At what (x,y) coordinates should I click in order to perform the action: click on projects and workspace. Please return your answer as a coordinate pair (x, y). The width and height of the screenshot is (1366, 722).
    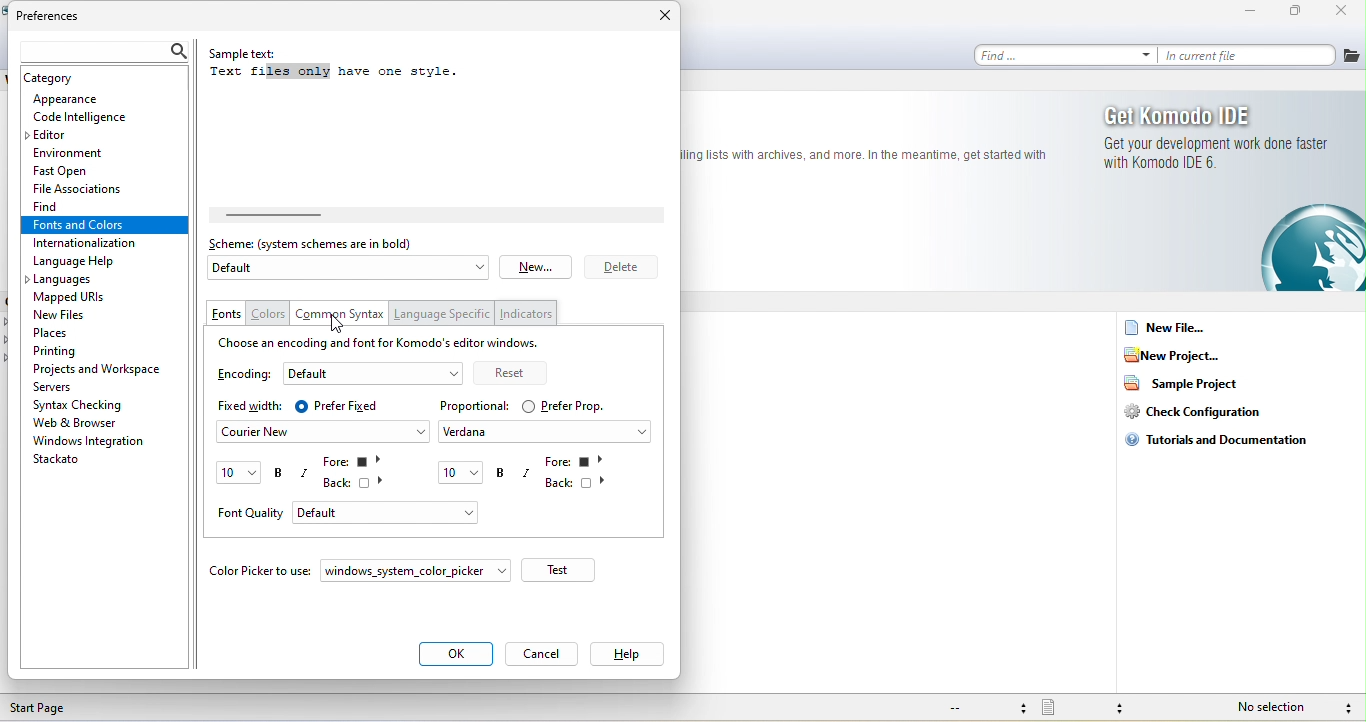
    Looking at the image, I should click on (101, 369).